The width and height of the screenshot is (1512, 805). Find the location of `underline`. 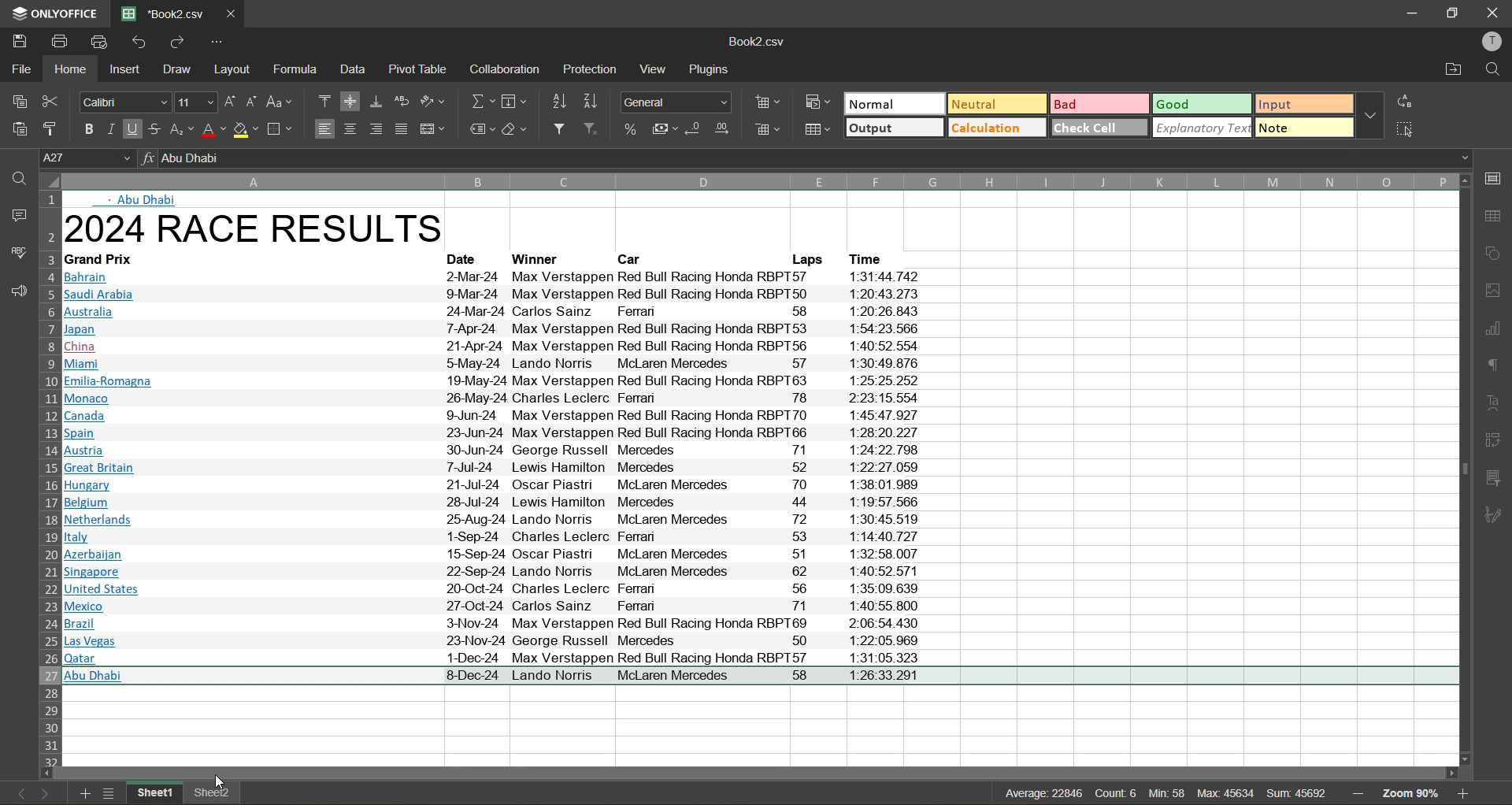

underline is located at coordinates (133, 131).